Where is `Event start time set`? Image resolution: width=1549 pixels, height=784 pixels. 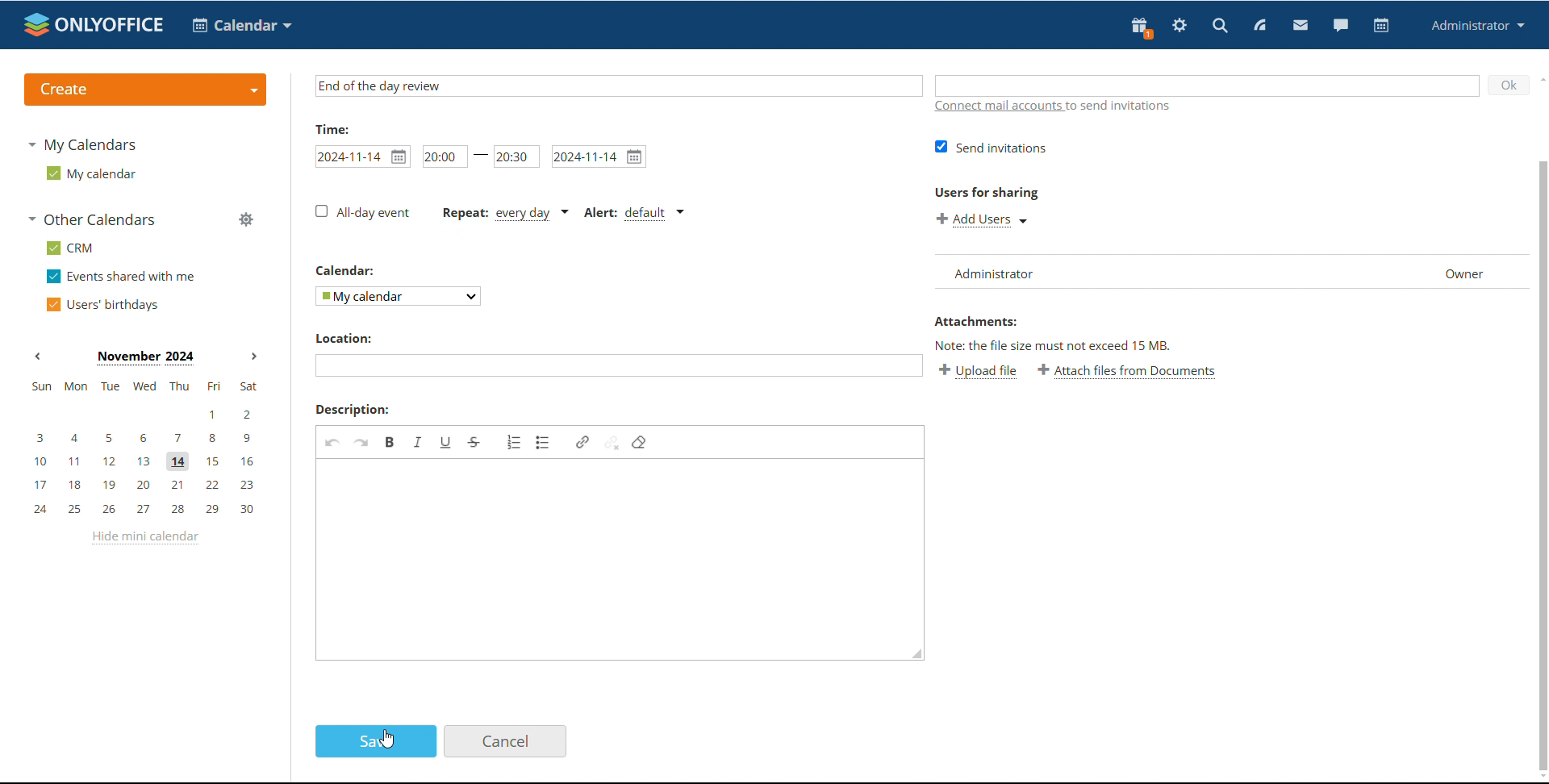 Event start time set is located at coordinates (446, 156).